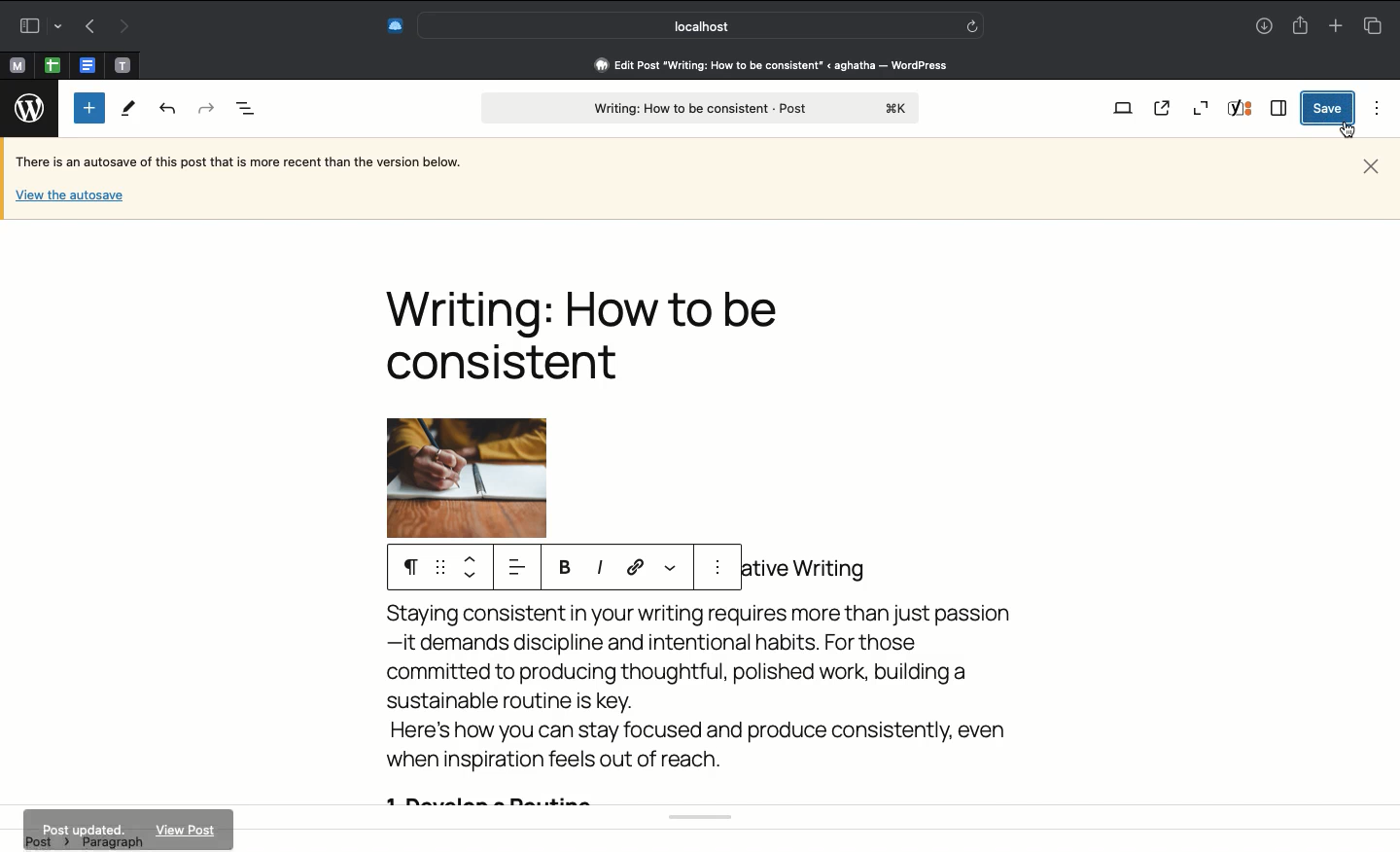 This screenshot has height=852, width=1400. Describe the element at coordinates (52, 62) in the screenshot. I see `pinned tab, google sheet` at that location.